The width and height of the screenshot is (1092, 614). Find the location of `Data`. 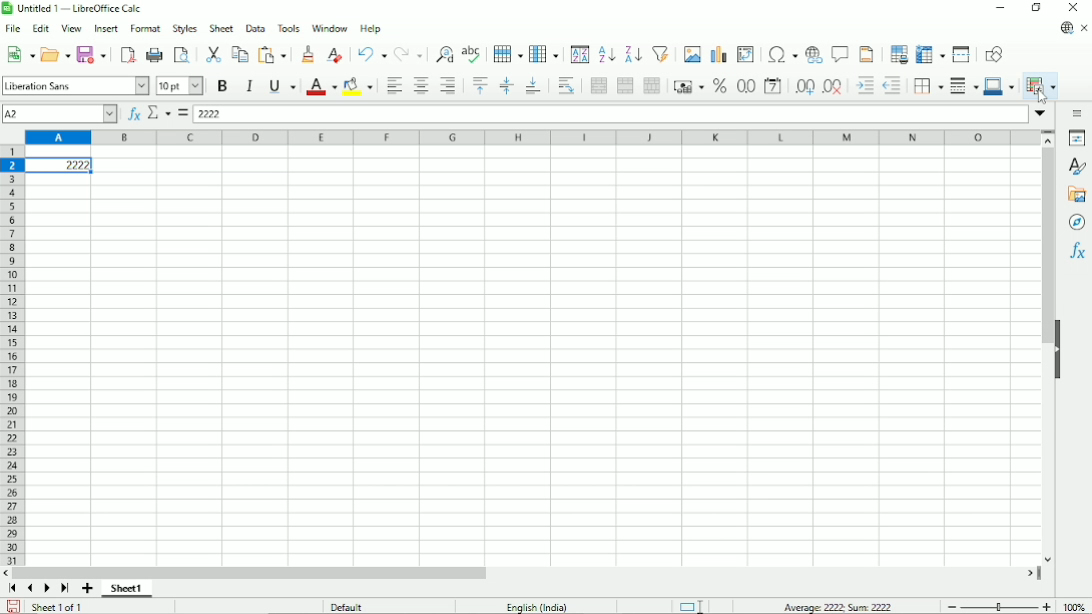

Data is located at coordinates (255, 28).